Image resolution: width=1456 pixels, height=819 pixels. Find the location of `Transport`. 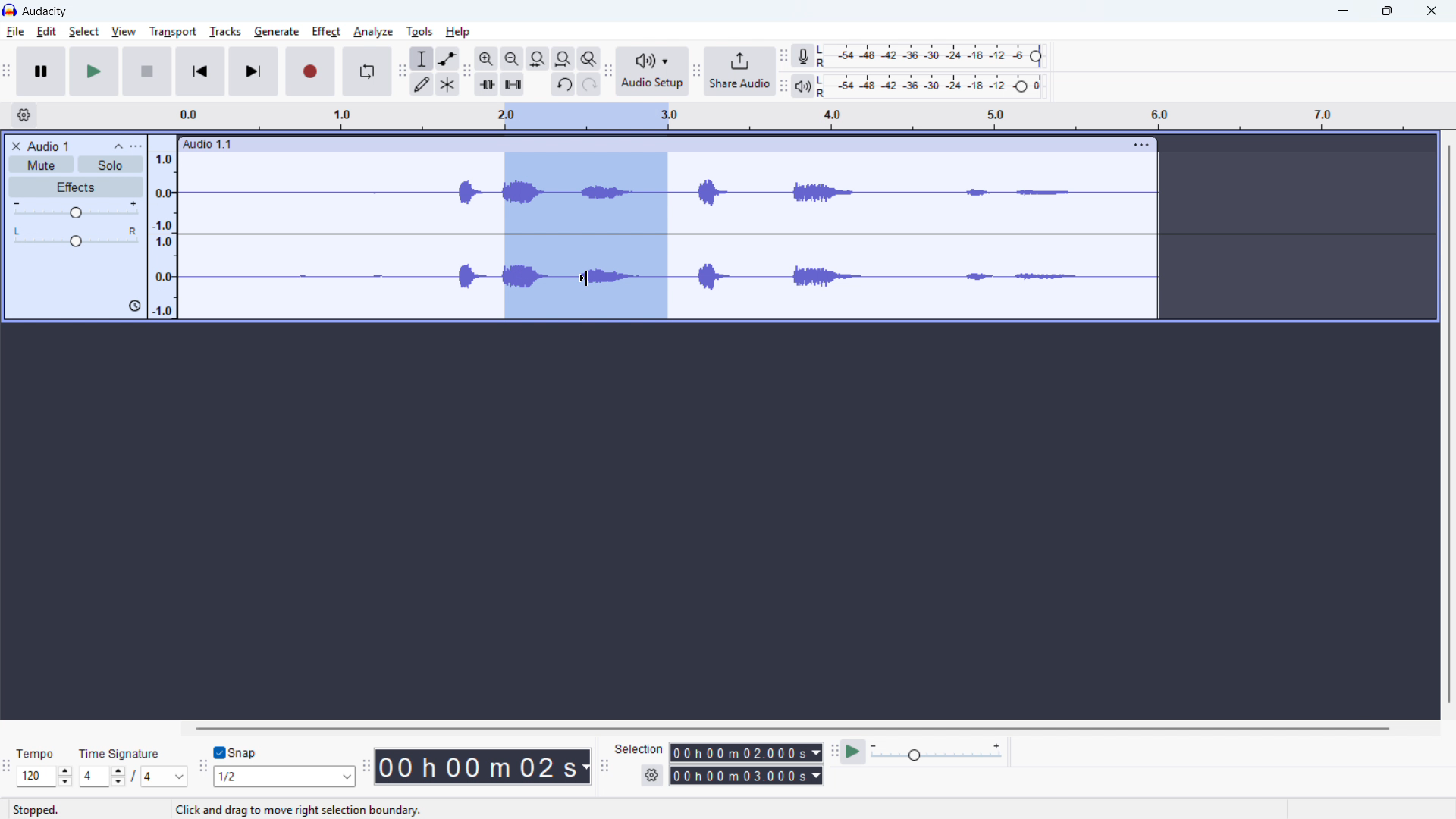

Transport is located at coordinates (173, 32).